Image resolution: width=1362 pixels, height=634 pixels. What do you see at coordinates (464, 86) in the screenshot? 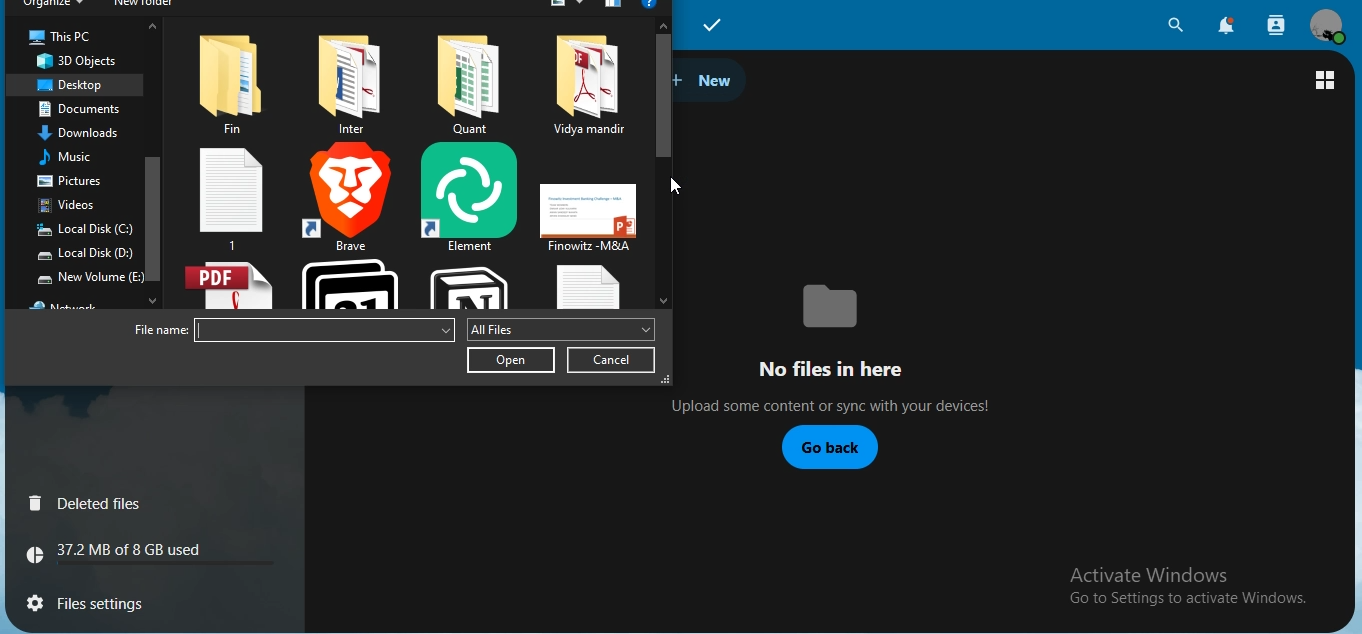
I see `file` at bounding box center [464, 86].